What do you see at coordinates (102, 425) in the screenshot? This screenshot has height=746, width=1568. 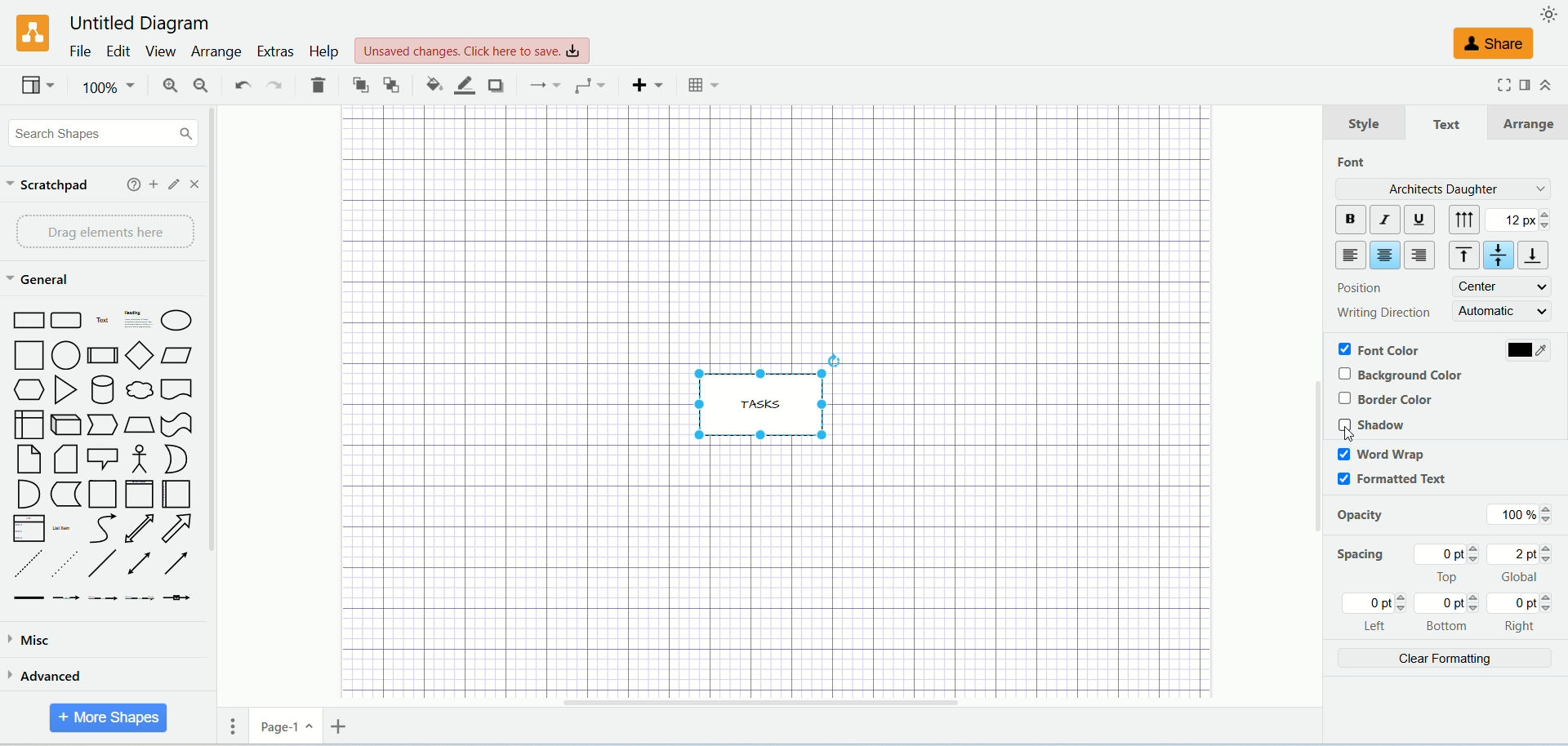 I see `Step` at bounding box center [102, 425].